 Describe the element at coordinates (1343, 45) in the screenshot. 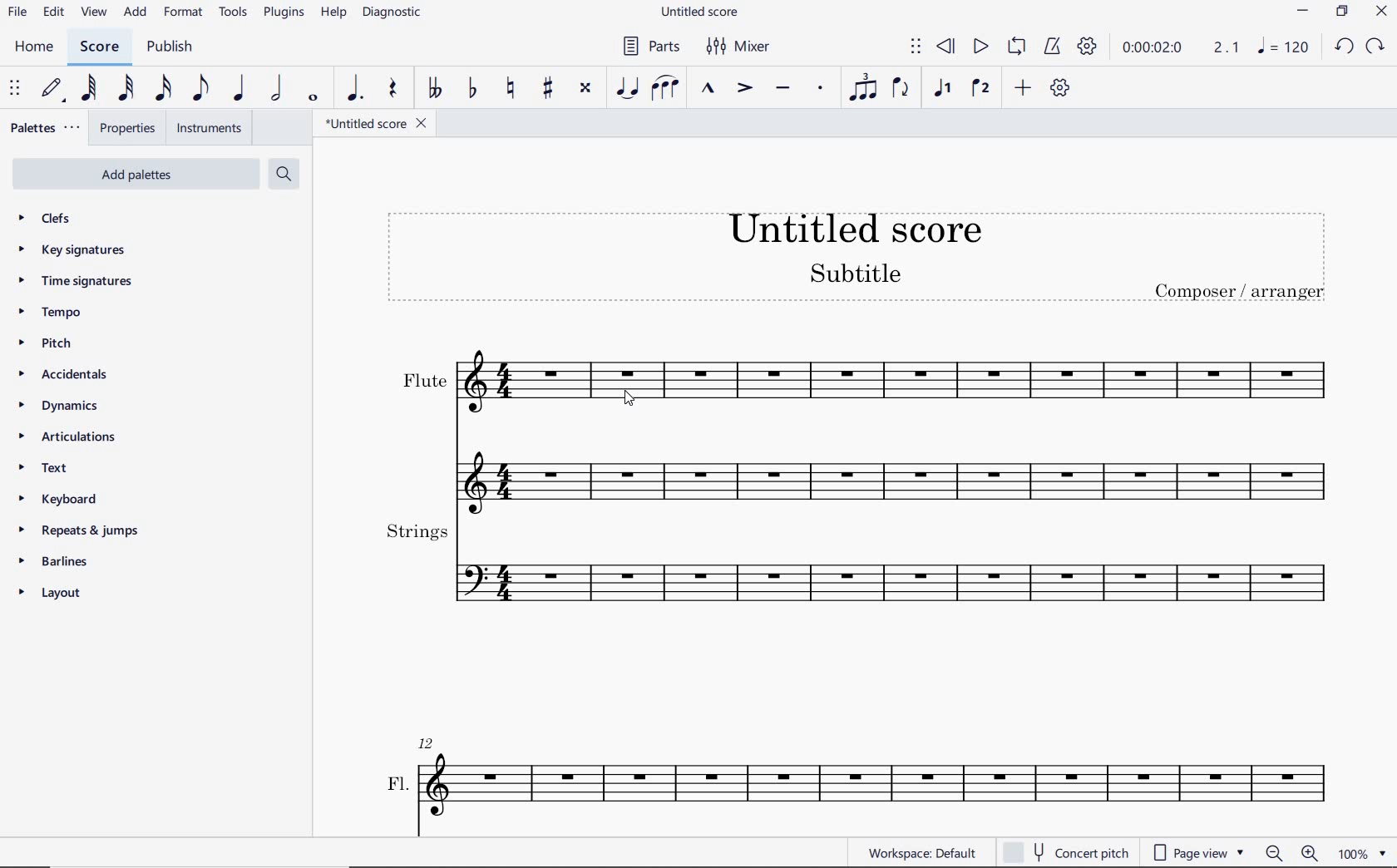

I see `undo` at that location.